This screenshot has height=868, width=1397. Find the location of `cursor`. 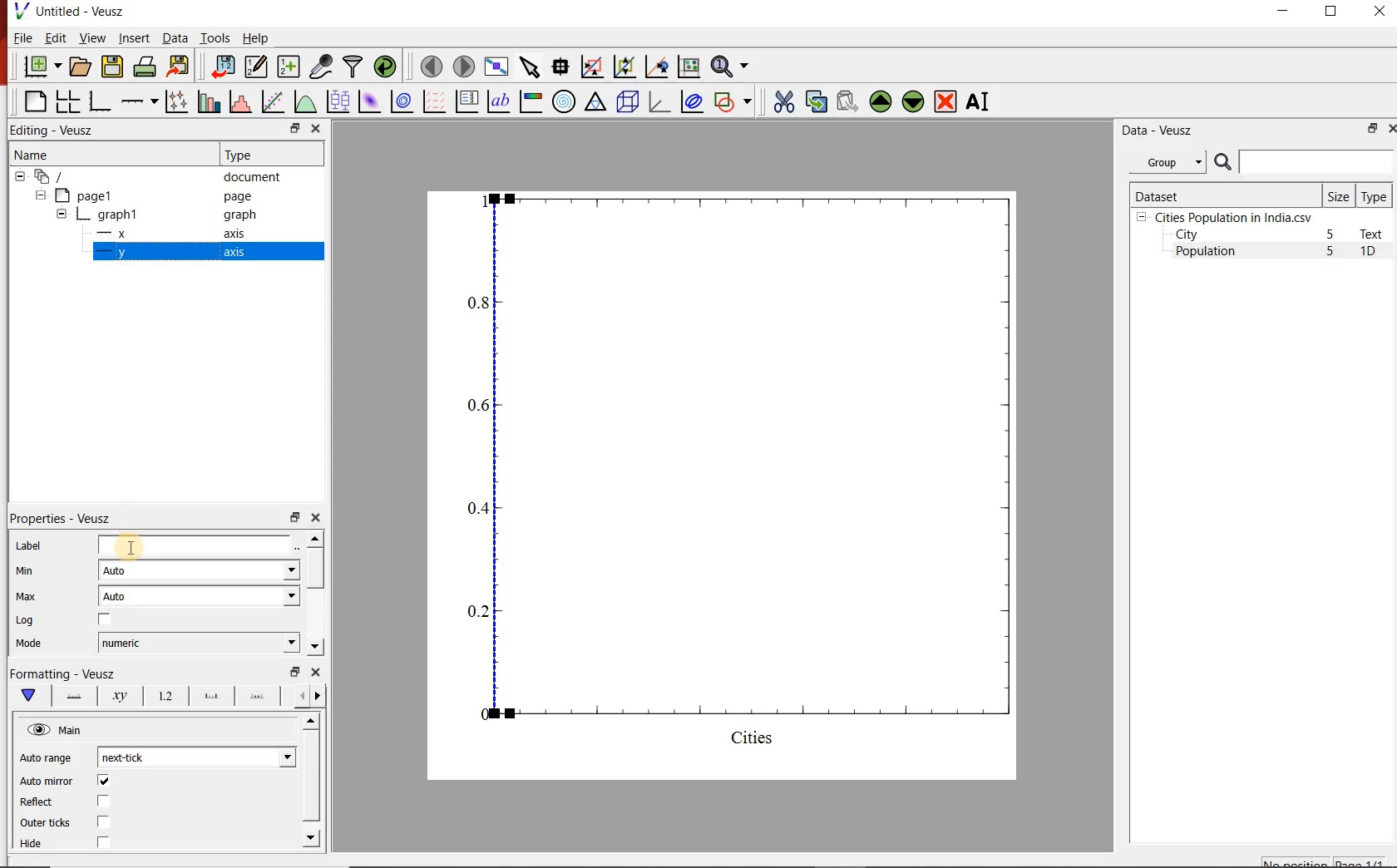

cursor is located at coordinates (123, 541).